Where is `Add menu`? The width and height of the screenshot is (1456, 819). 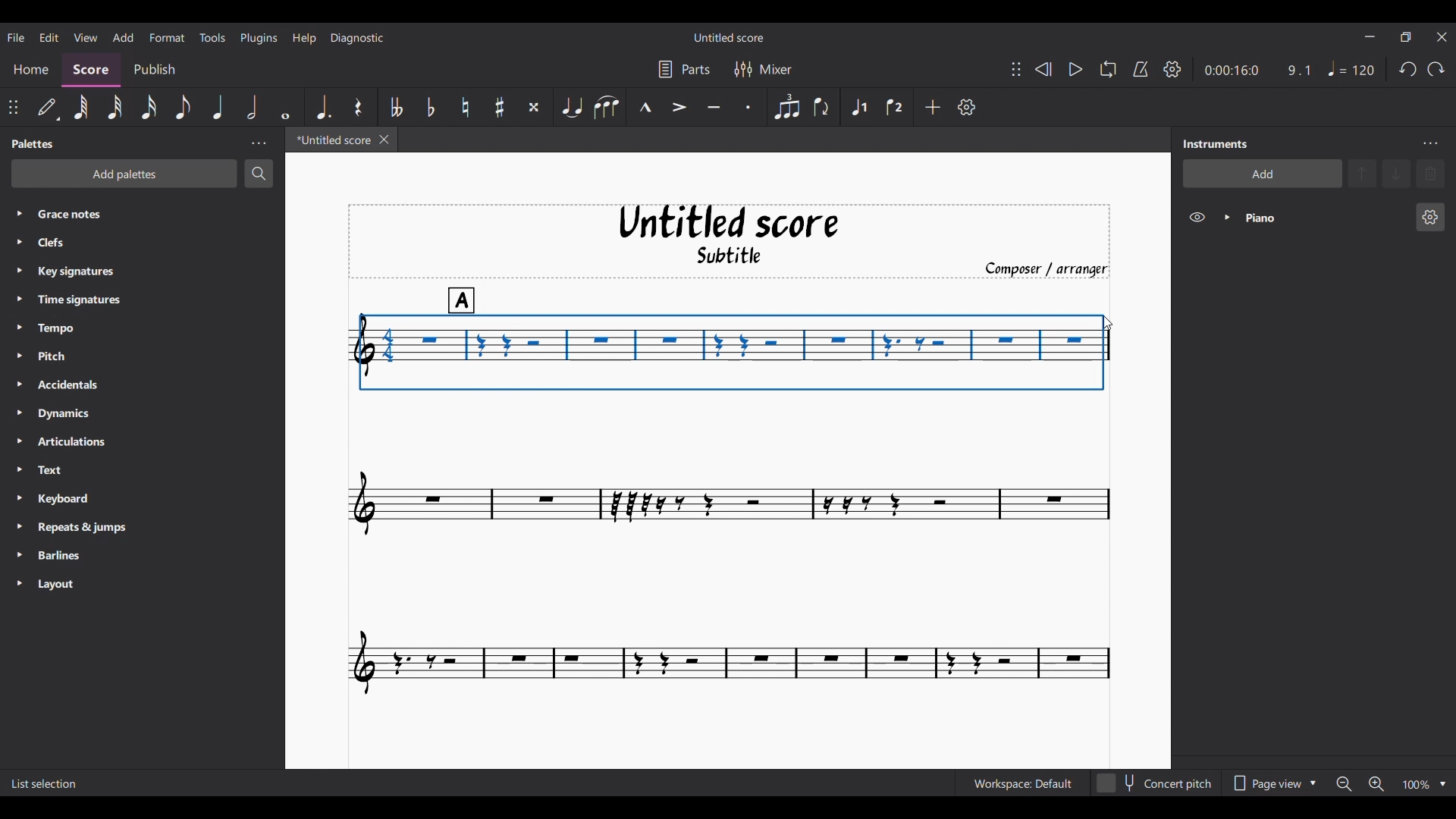
Add menu is located at coordinates (123, 37).